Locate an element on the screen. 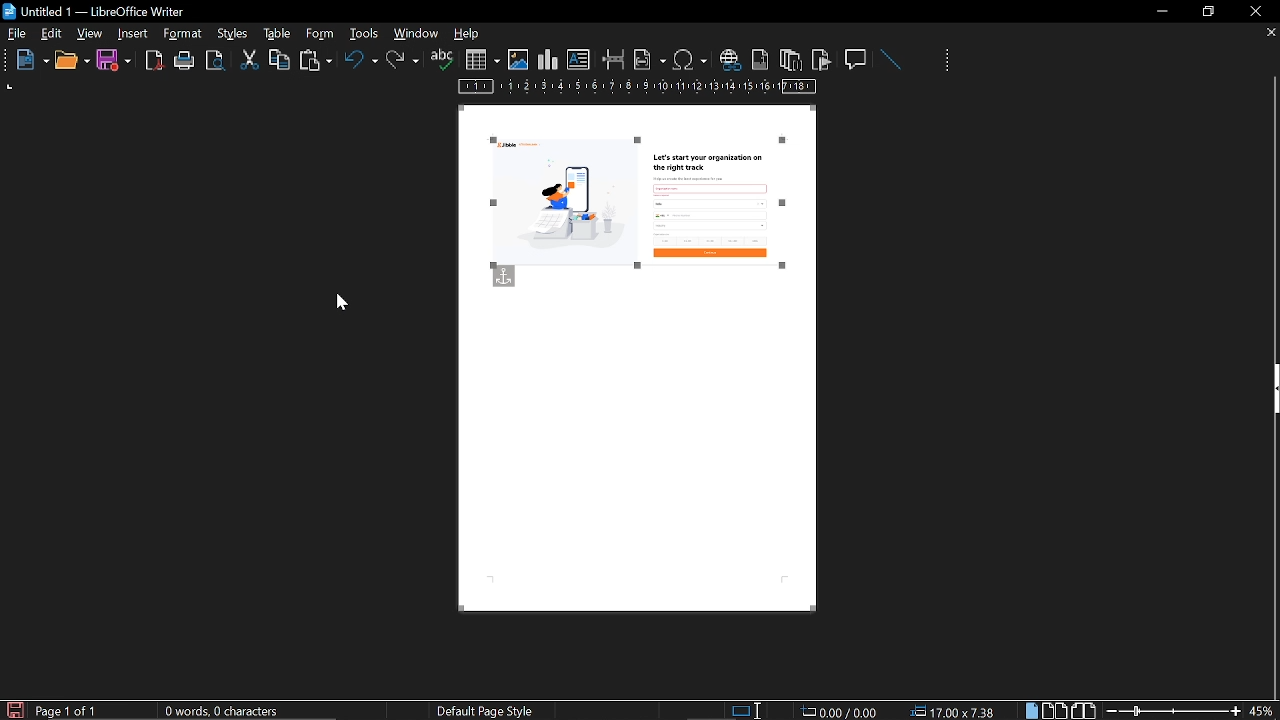 The width and height of the screenshot is (1280, 720). new is located at coordinates (27, 61).